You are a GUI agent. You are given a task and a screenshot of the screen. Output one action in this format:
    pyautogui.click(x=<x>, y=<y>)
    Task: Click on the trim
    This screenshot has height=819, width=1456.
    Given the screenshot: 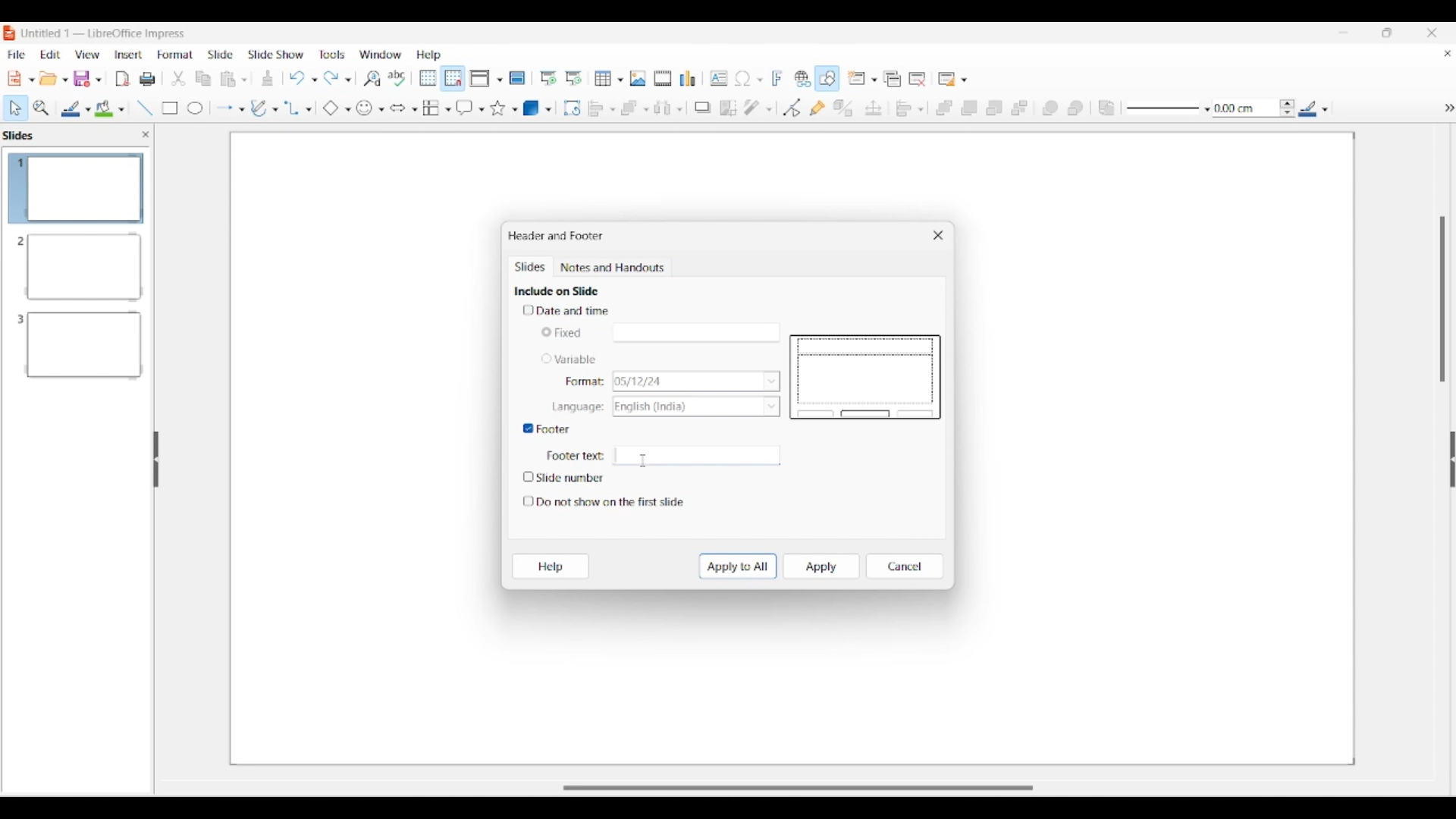 What is the action you would take?
    pyautogui.click(x=176, y=77)
    